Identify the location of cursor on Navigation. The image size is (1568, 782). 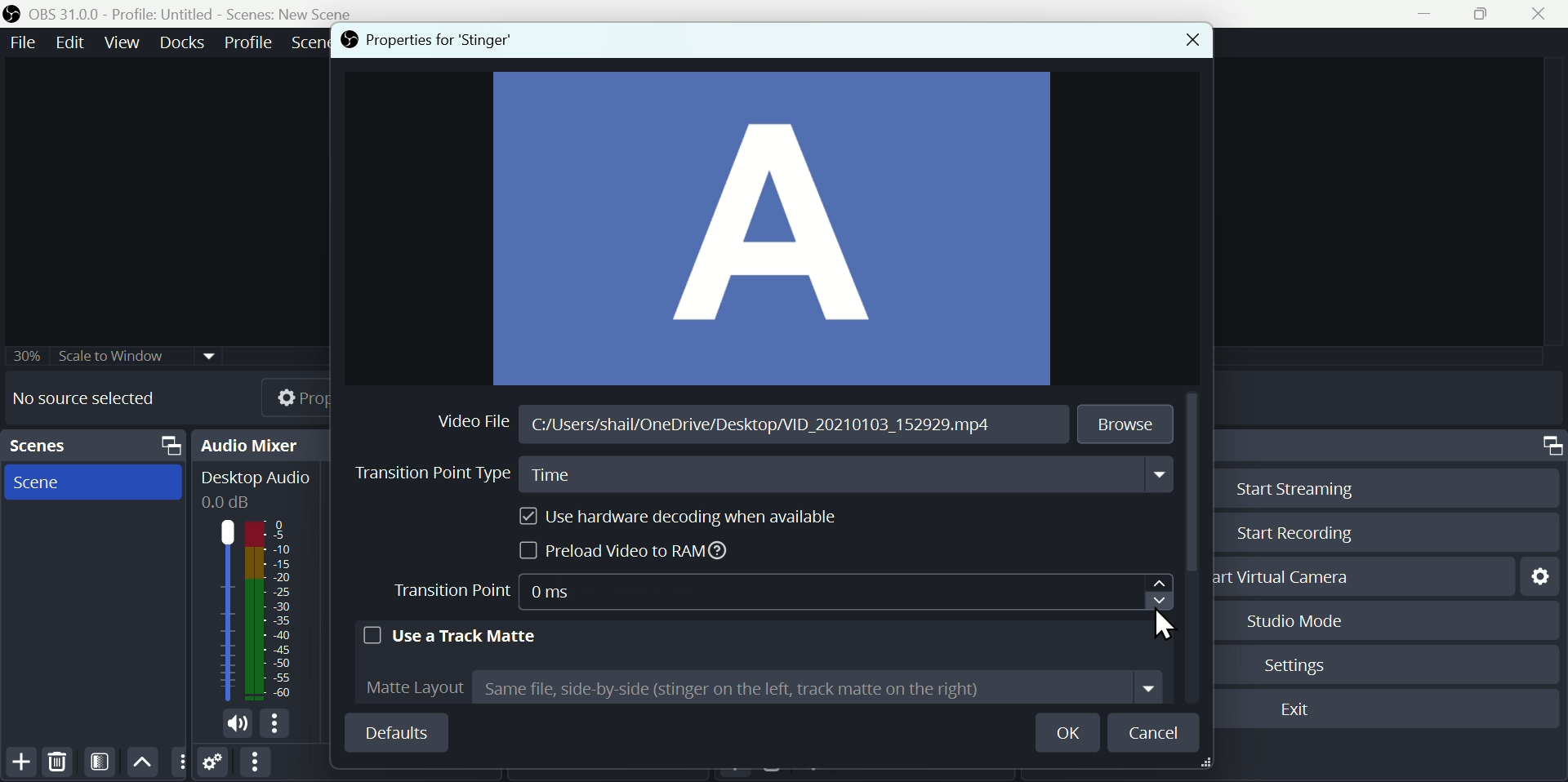
(1169, 622).